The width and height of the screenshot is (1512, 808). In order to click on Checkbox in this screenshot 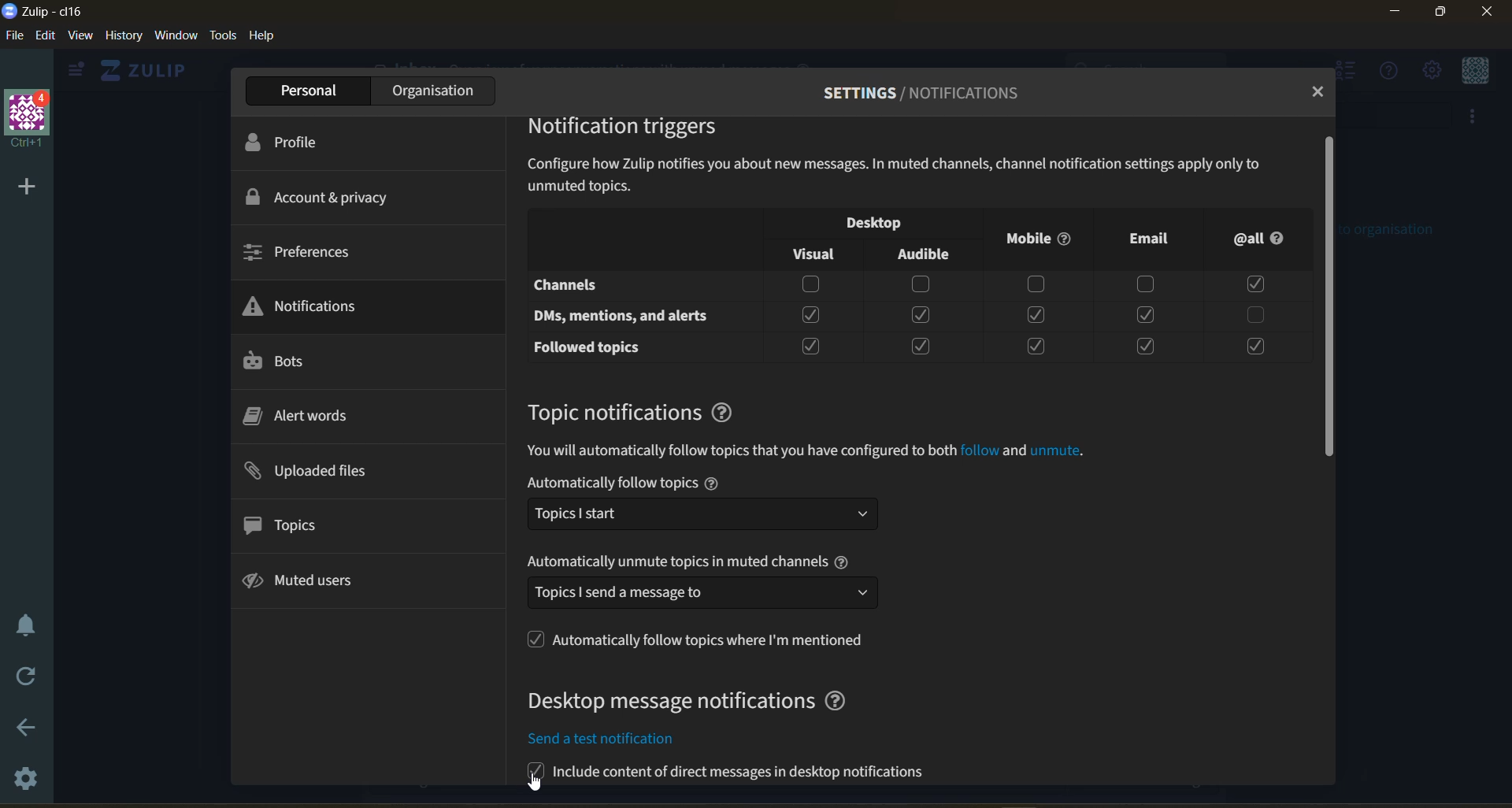, I will do `click(1146, 314)`.